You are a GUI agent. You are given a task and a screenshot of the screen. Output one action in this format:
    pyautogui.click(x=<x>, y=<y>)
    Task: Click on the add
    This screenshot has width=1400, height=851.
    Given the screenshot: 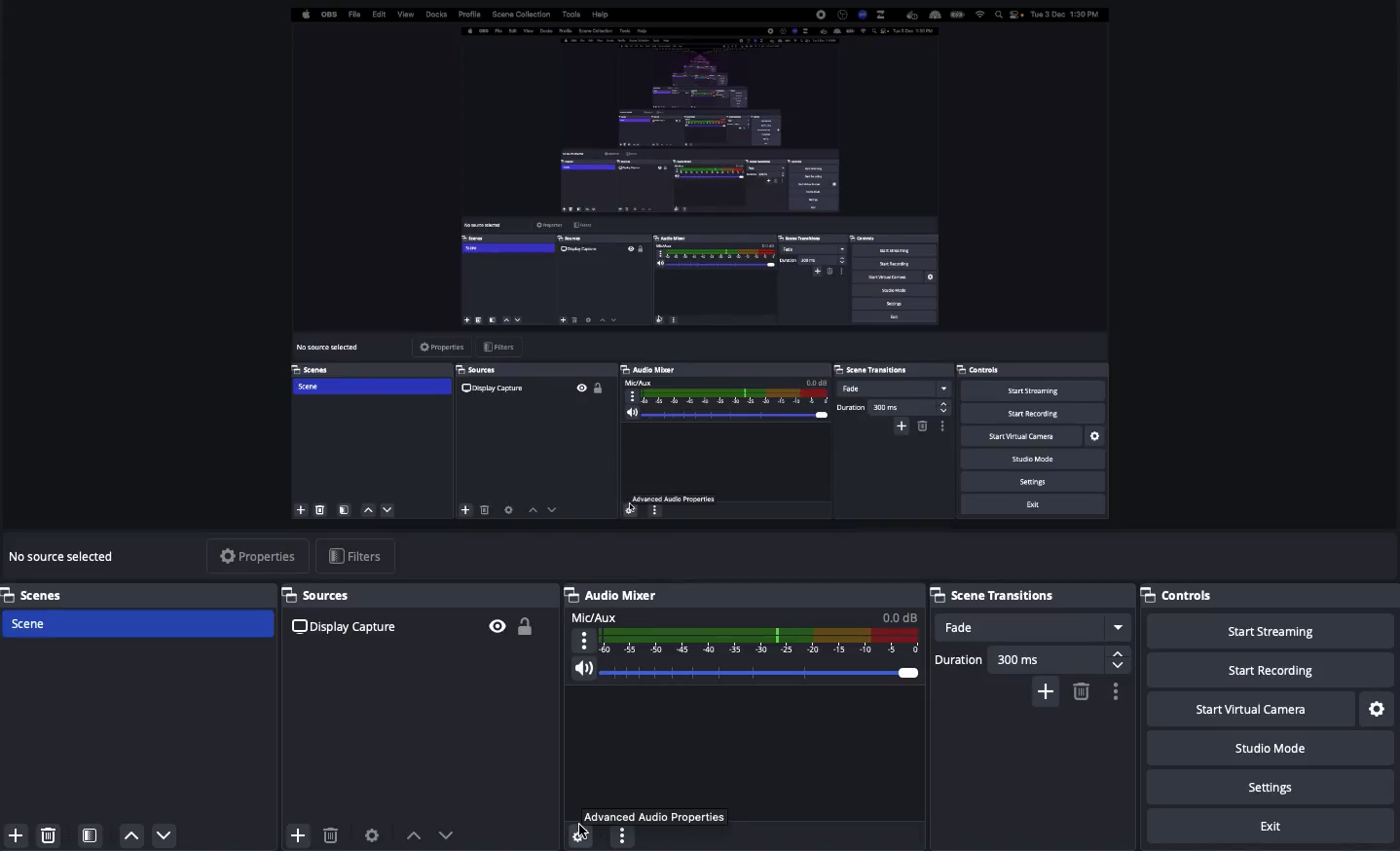 What is the action you would take?
    pyautogui.click(x=299, y=835)
    